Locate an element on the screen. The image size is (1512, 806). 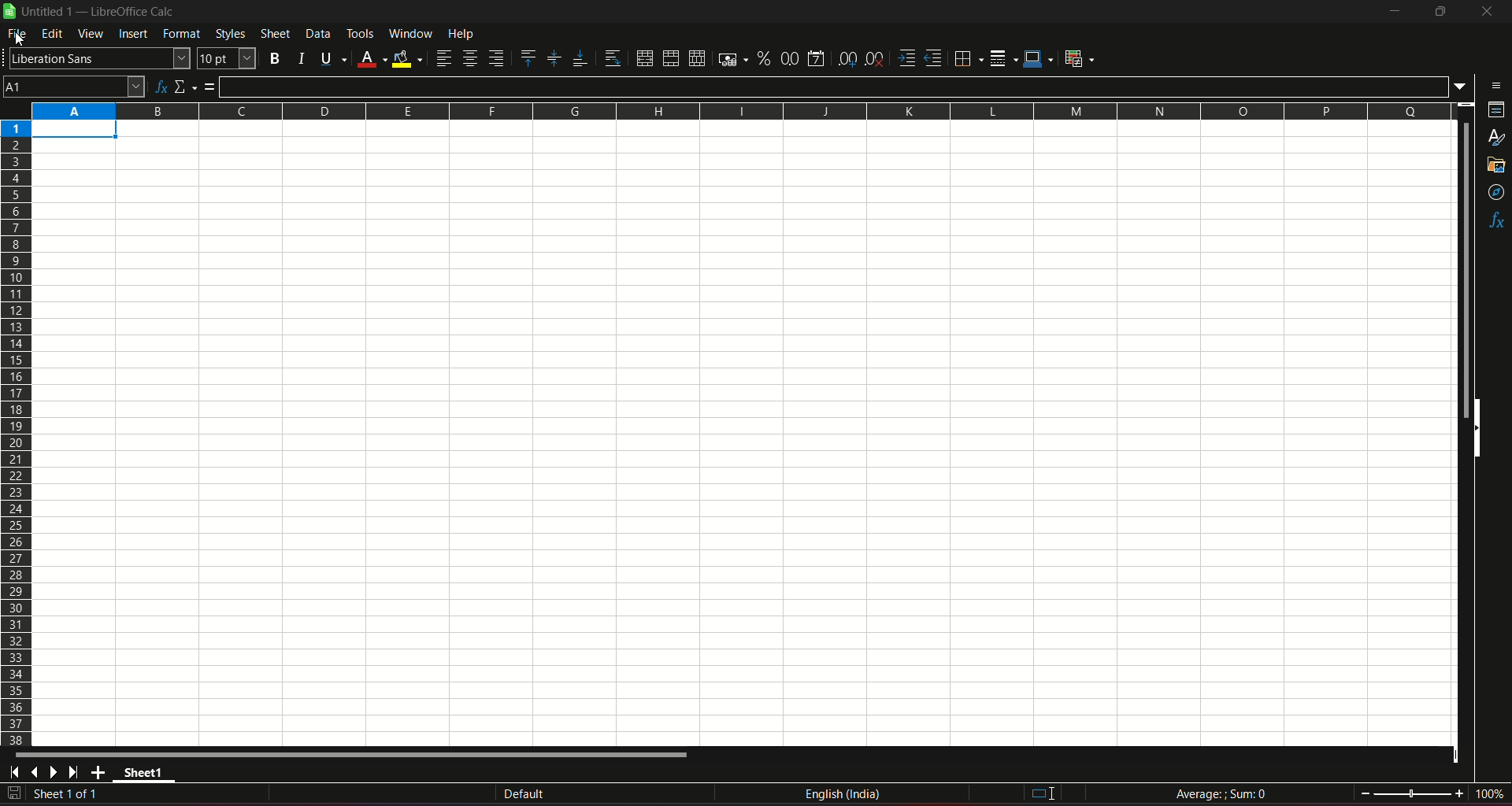
formula is located at coordinates (212, 87).